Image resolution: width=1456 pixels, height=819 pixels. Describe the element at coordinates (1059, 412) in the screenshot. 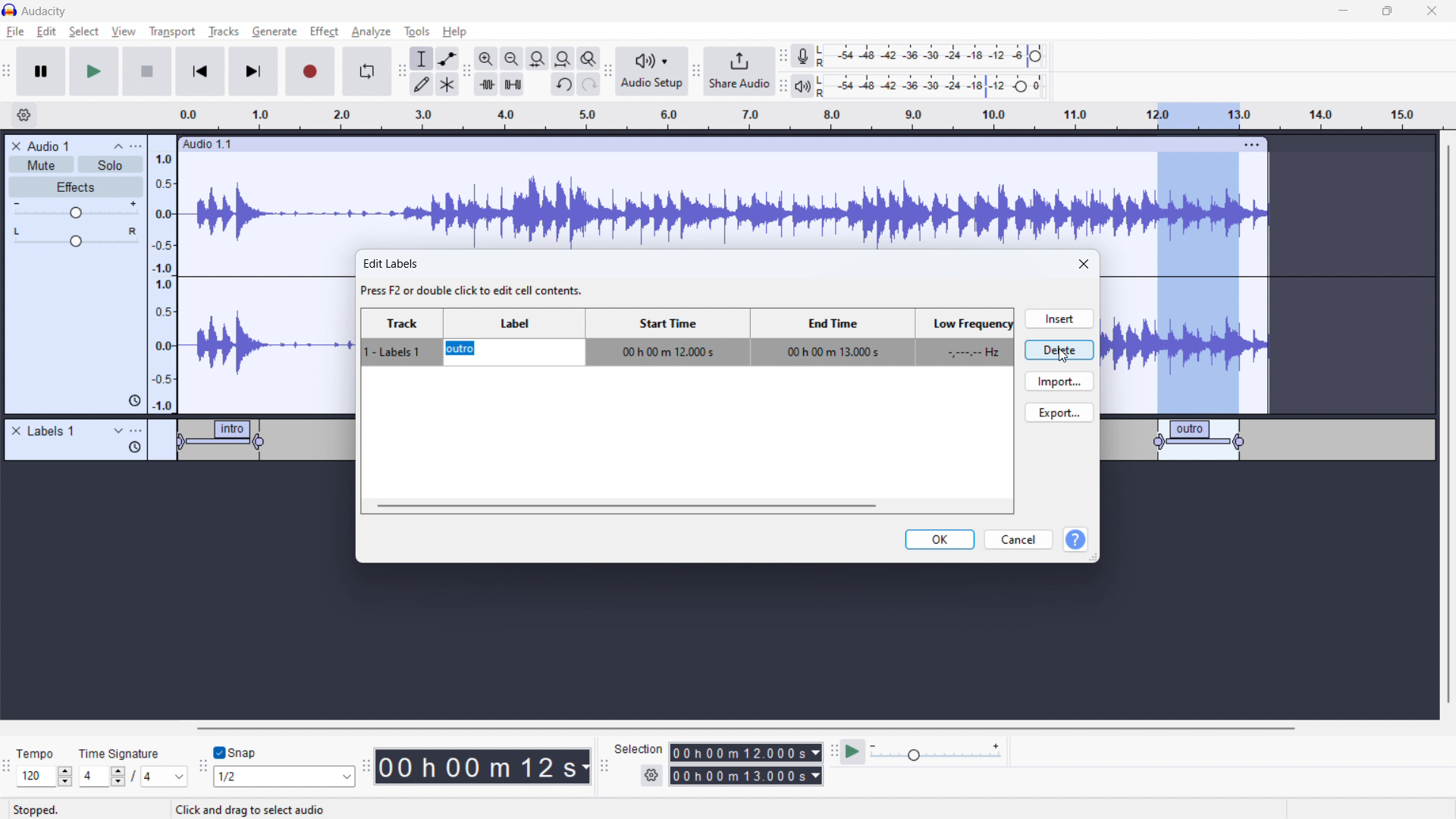

I see `export` at that location.